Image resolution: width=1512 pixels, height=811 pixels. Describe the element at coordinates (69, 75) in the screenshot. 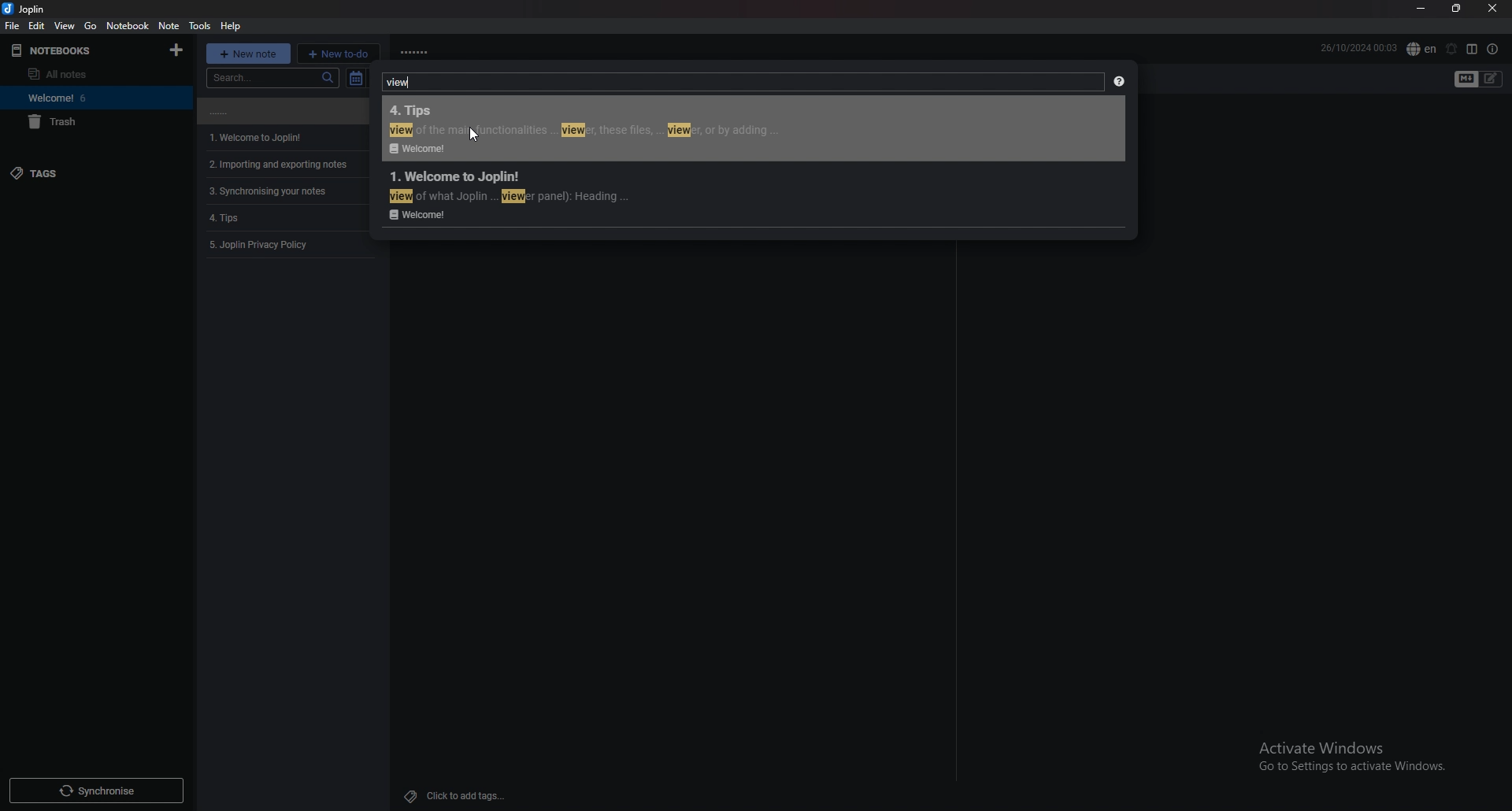

I see `All Notes` at that location.